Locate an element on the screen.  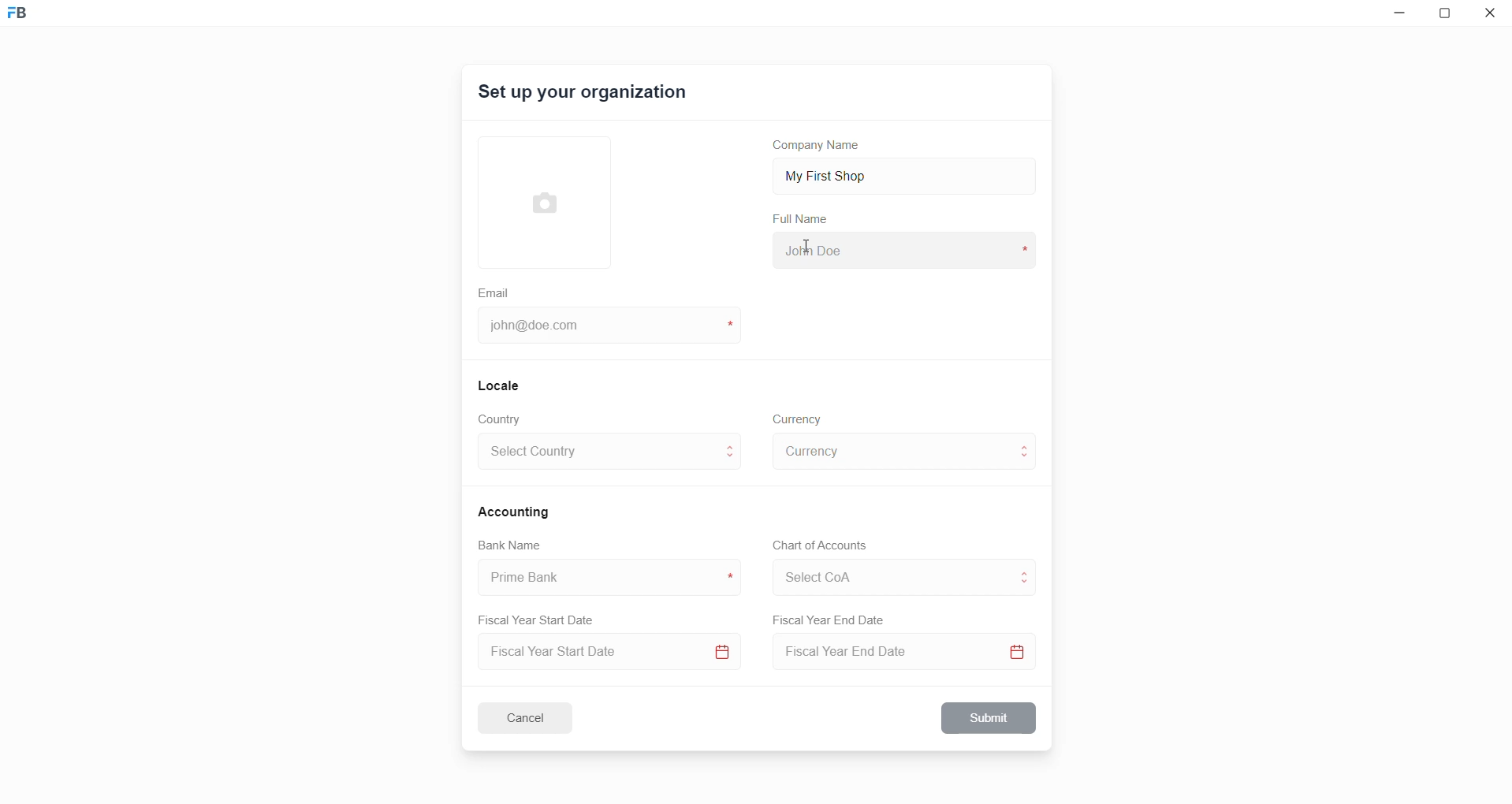
Country is located at coordinates (503, 419).